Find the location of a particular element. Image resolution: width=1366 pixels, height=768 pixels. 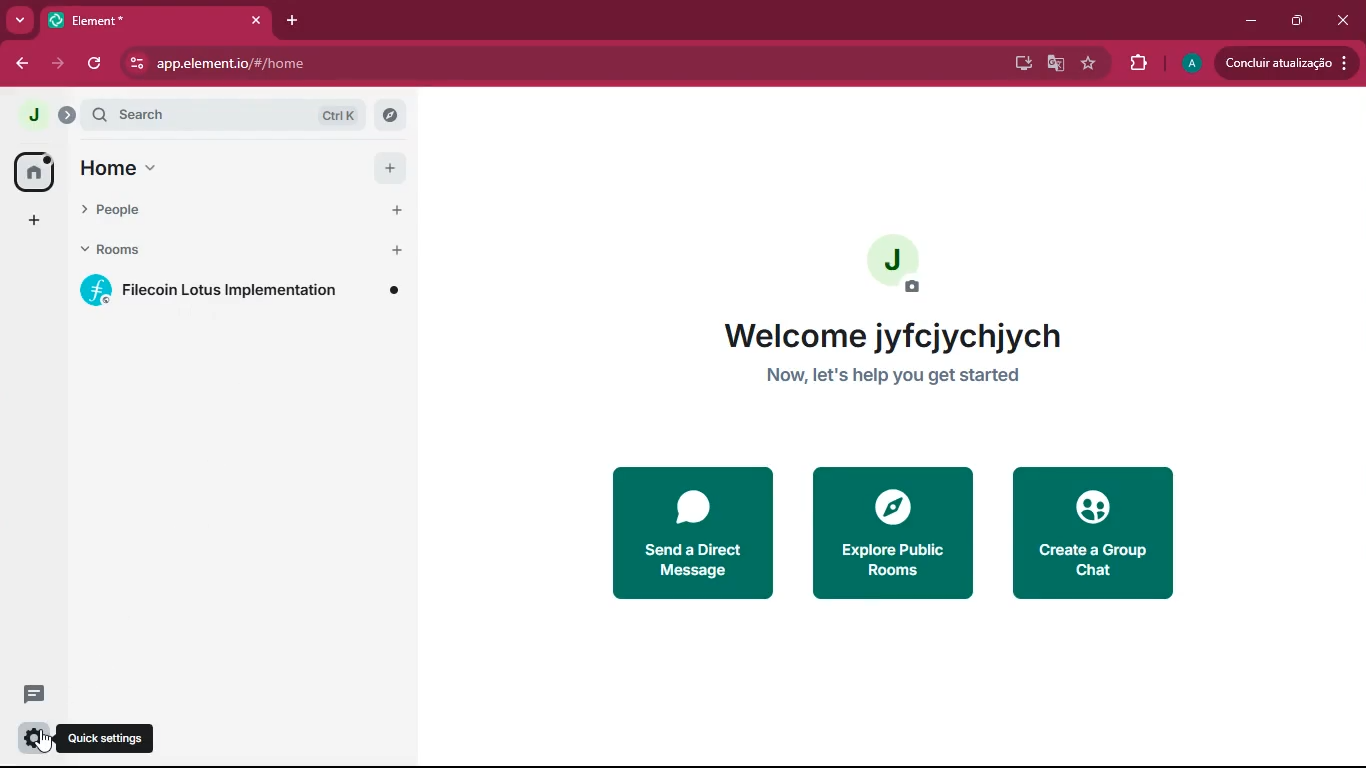

minimize is located at coordinates (1252, 19).